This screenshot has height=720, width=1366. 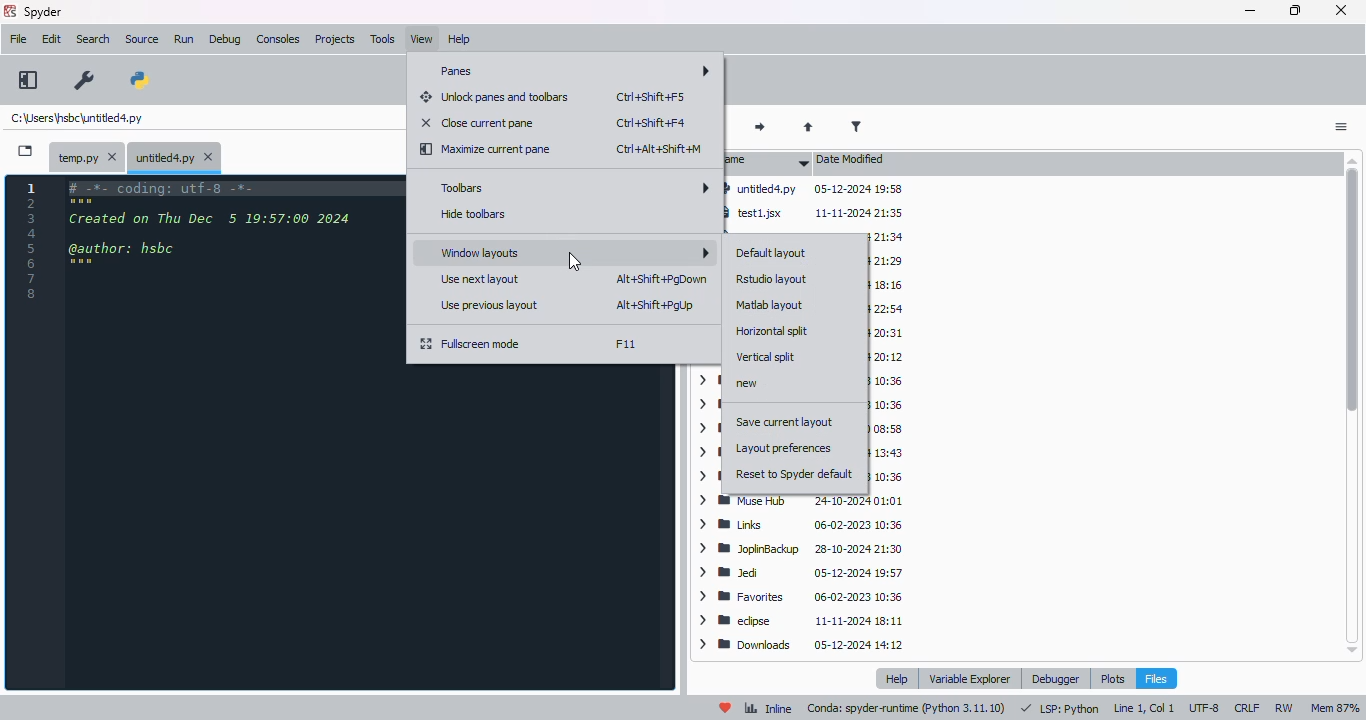 I want to click on close, so click(x=1340, y=10).